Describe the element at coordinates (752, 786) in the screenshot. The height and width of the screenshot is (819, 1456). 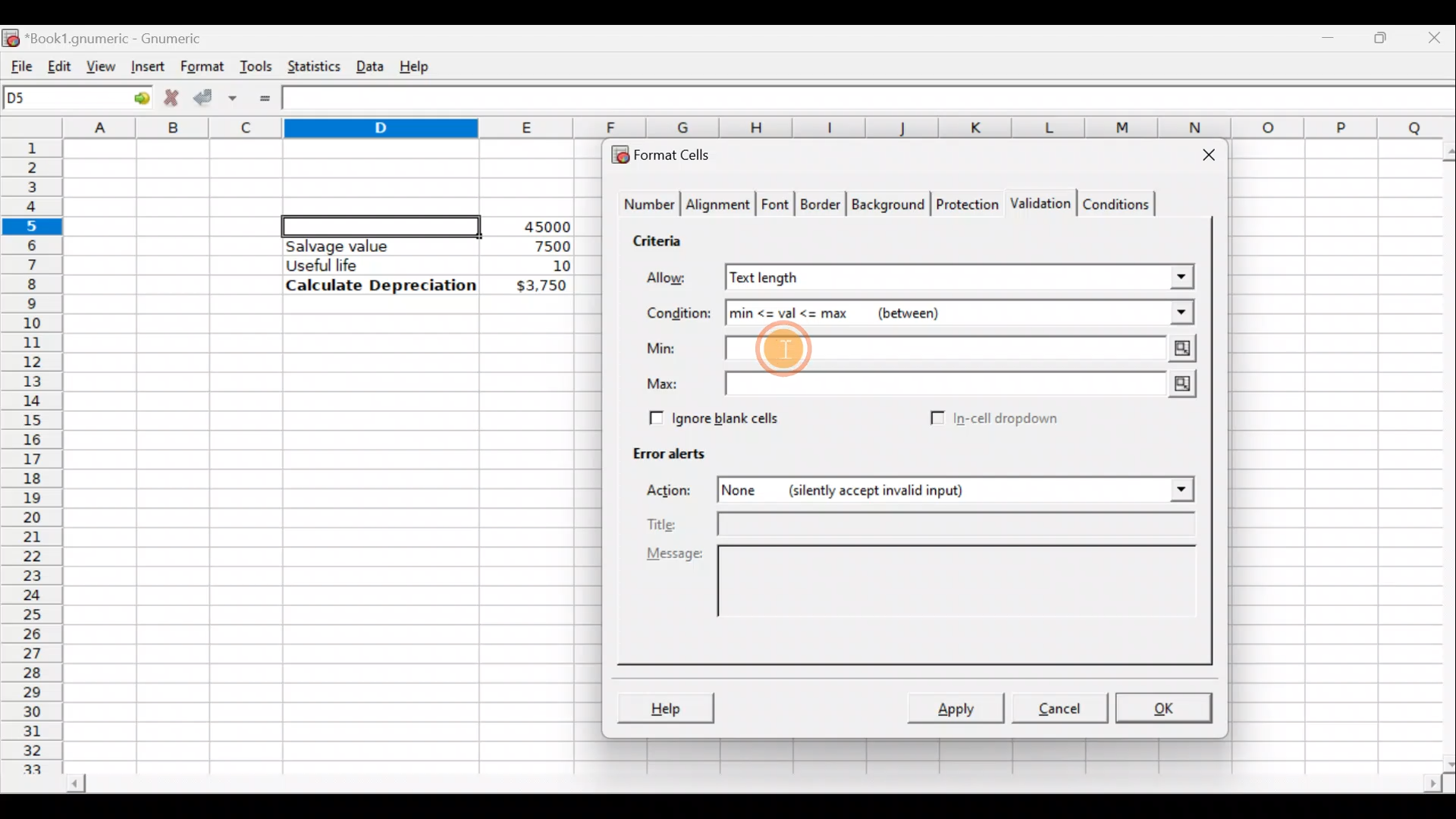
I see `Scroll bar` at that location.